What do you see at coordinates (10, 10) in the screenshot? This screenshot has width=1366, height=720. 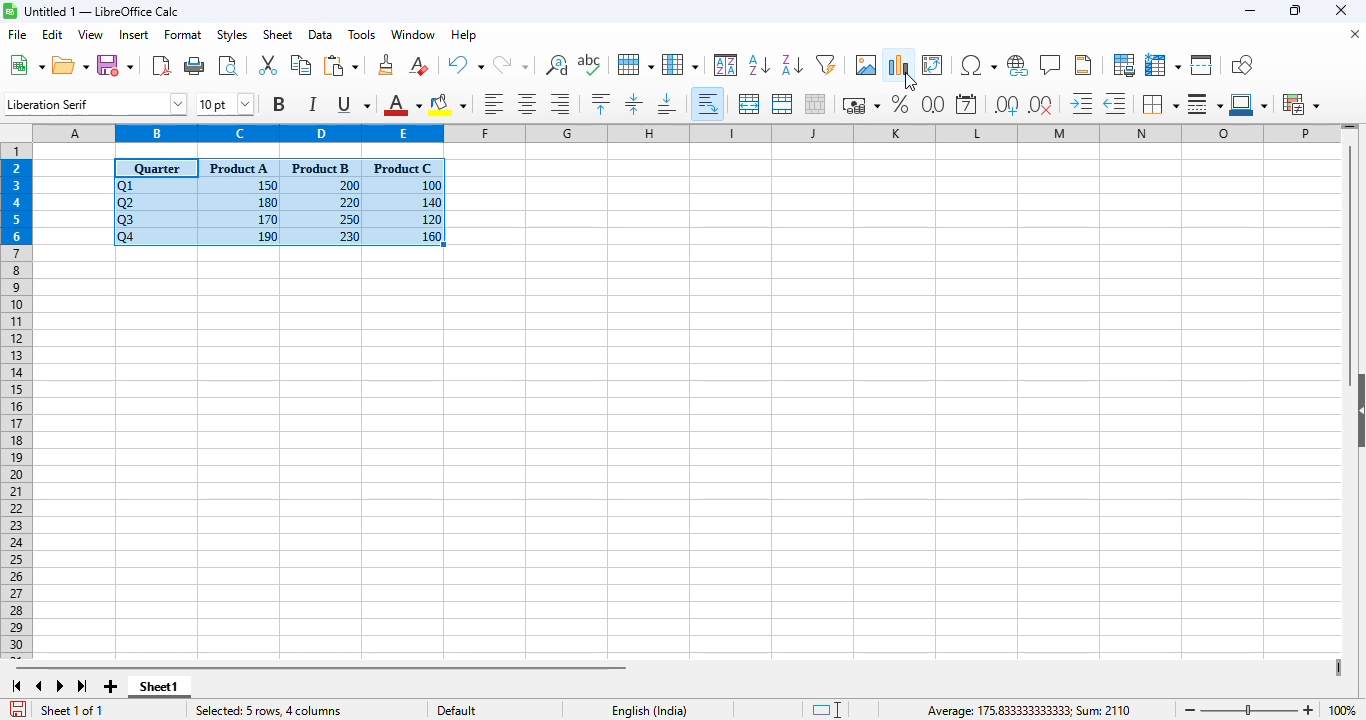 I see `logo` at bounding box center [10, 10].